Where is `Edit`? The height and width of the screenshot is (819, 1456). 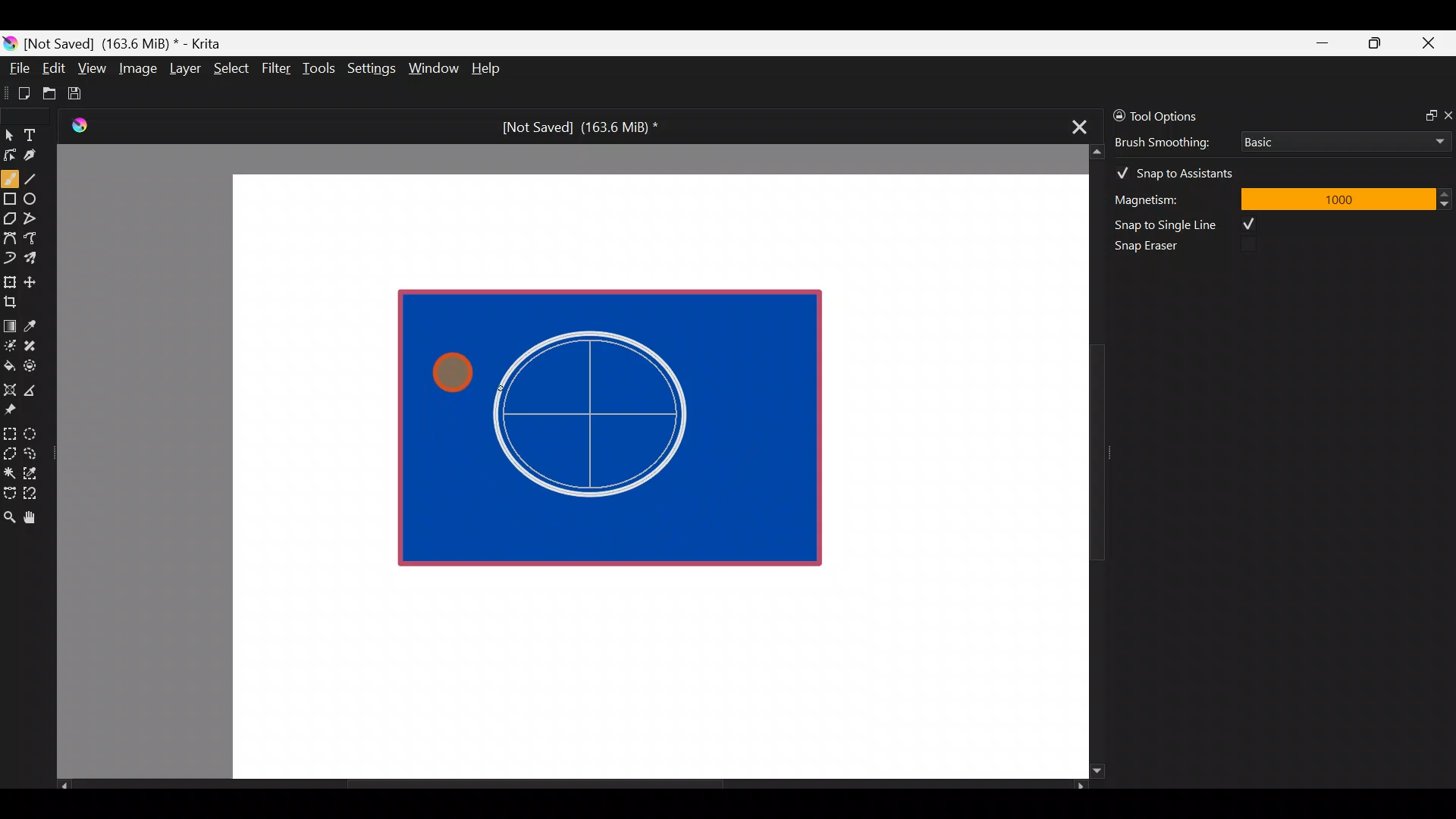
Edit is located at coordinates (53, 71).